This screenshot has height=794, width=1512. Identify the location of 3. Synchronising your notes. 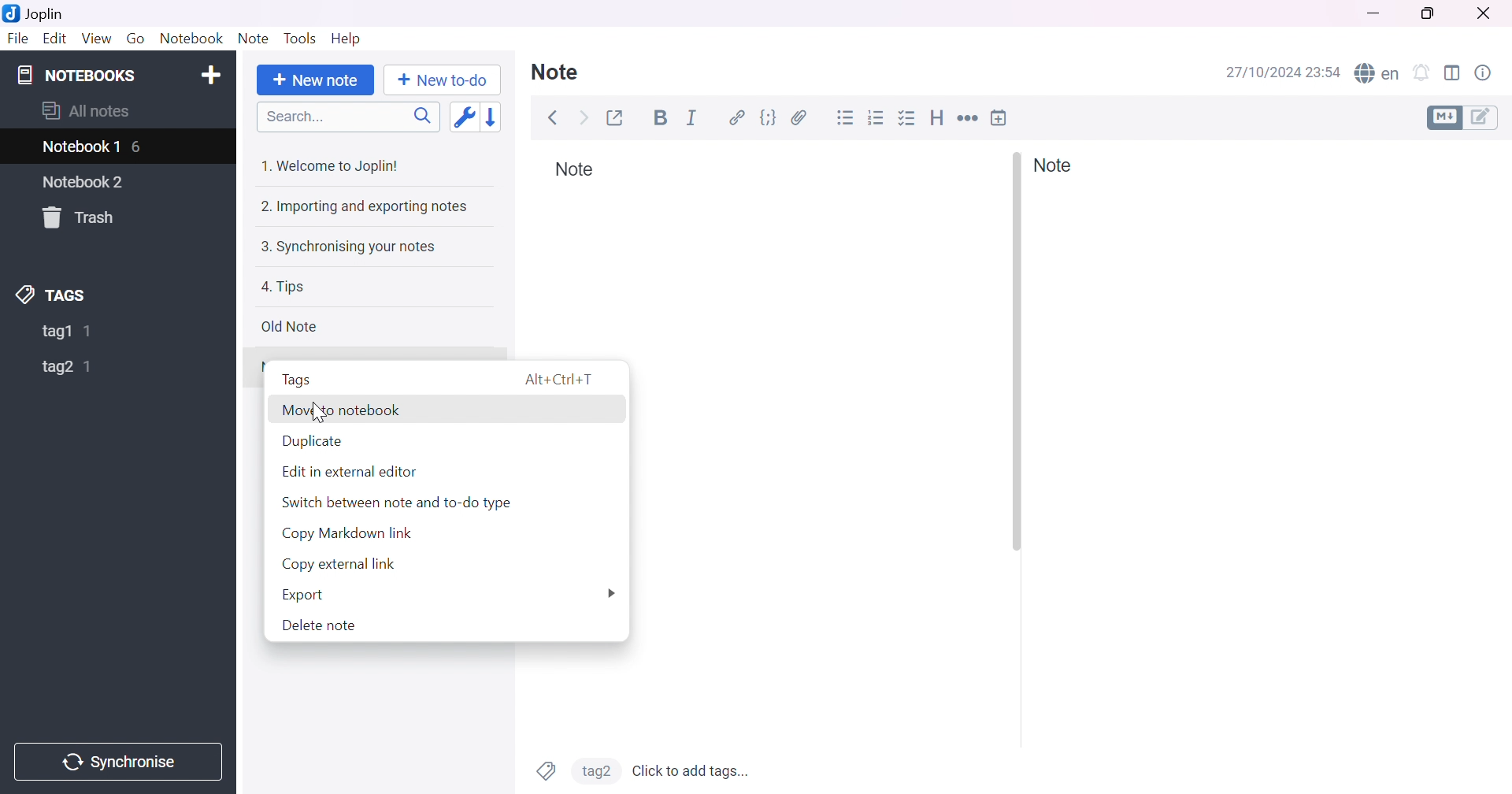
(346, 248).